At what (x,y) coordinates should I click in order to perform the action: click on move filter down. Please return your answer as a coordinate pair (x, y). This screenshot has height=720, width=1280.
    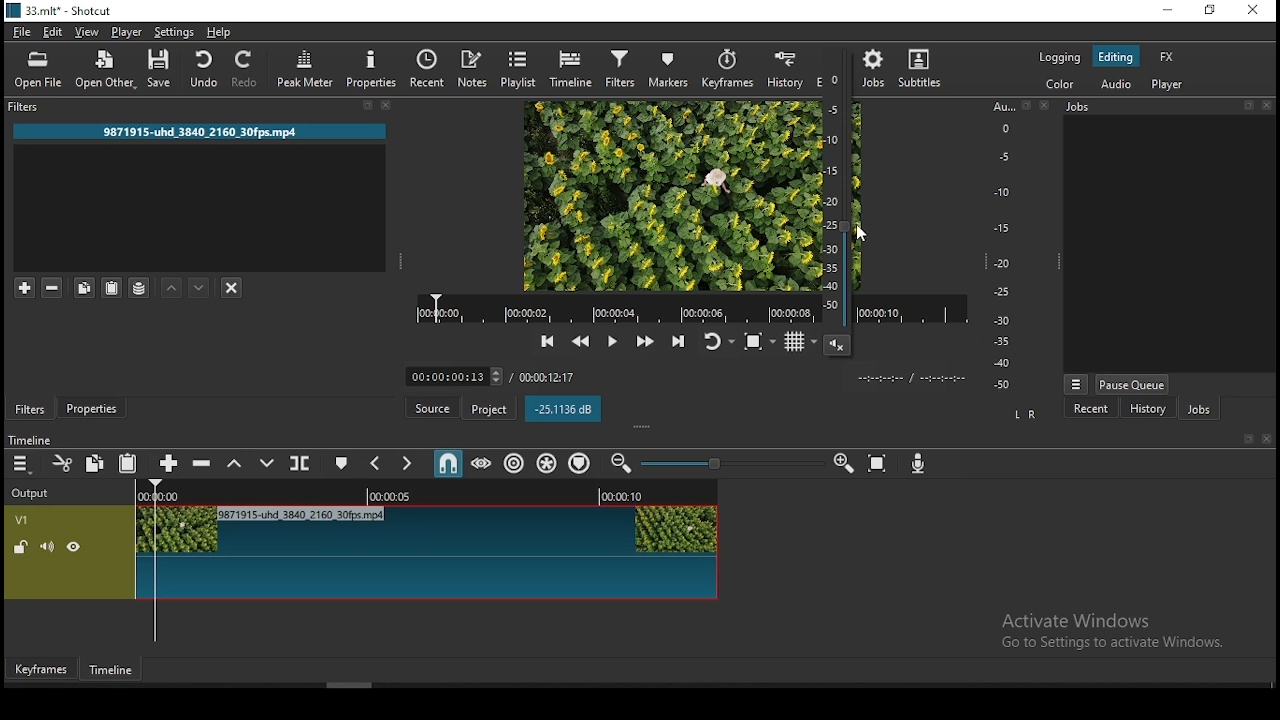
    Looking at the image, I should click on (201, 288).